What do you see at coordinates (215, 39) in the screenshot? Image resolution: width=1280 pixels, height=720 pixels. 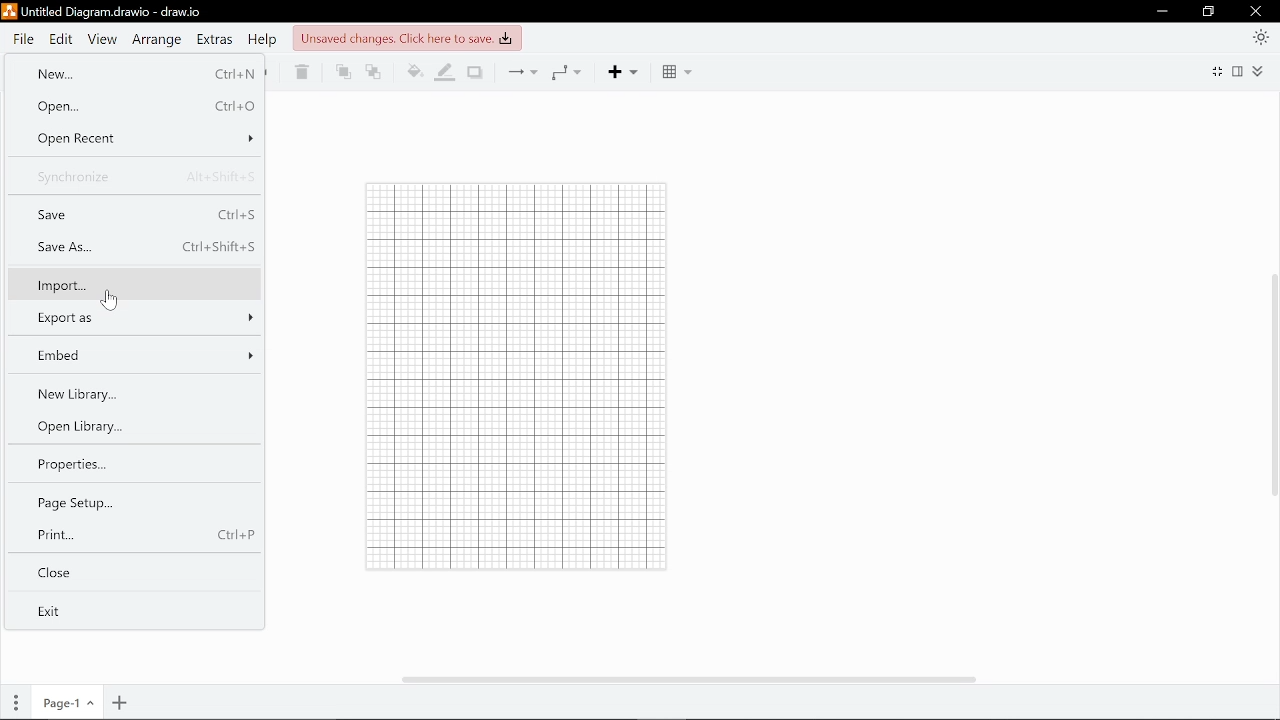 I see `extras` at bounding box center [215, 39].